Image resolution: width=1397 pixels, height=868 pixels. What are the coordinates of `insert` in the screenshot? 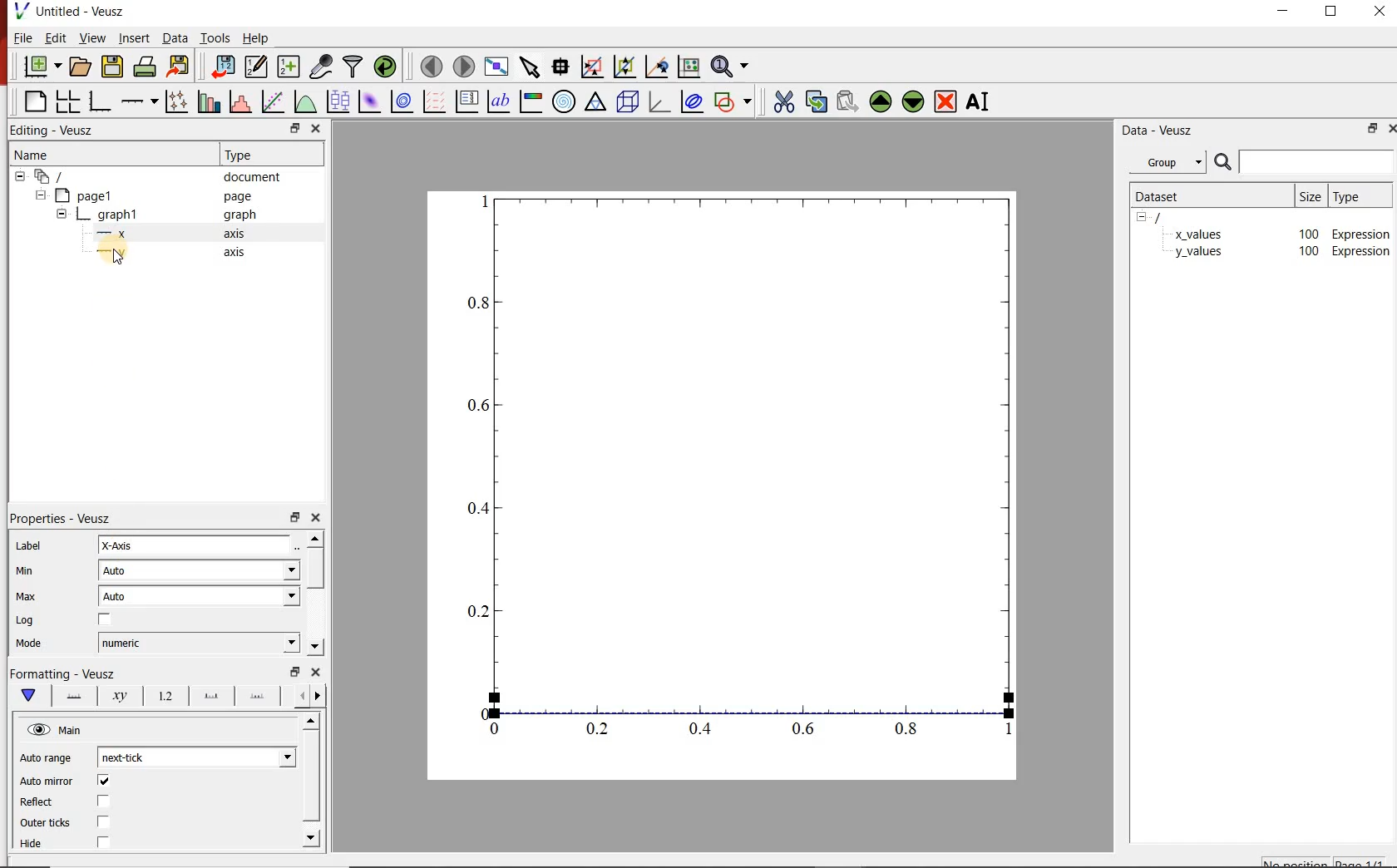 It's located at (134, 37).